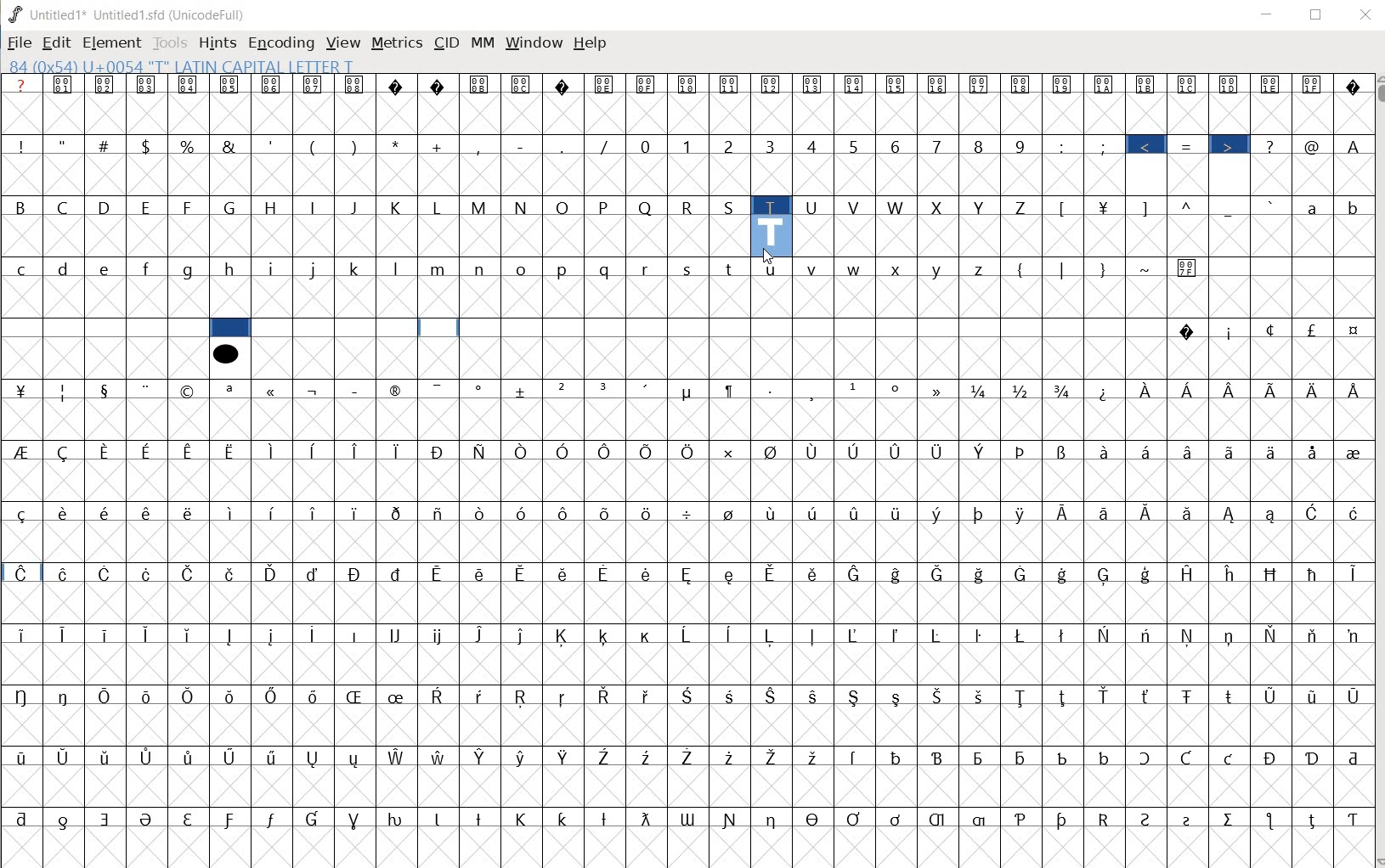 This screenshot has width=1385, height=868. I want to click on Symbol, so click(1147, 635).